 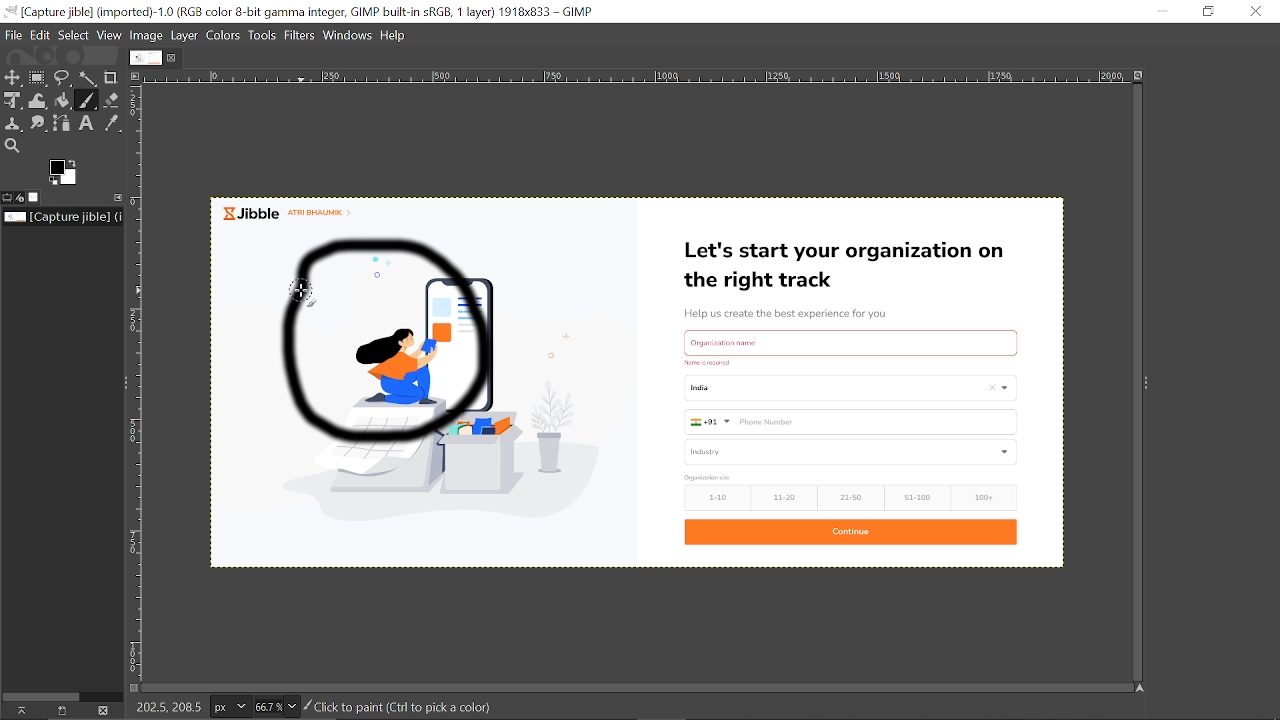 I want to click on File, so click(x=16, y=35).